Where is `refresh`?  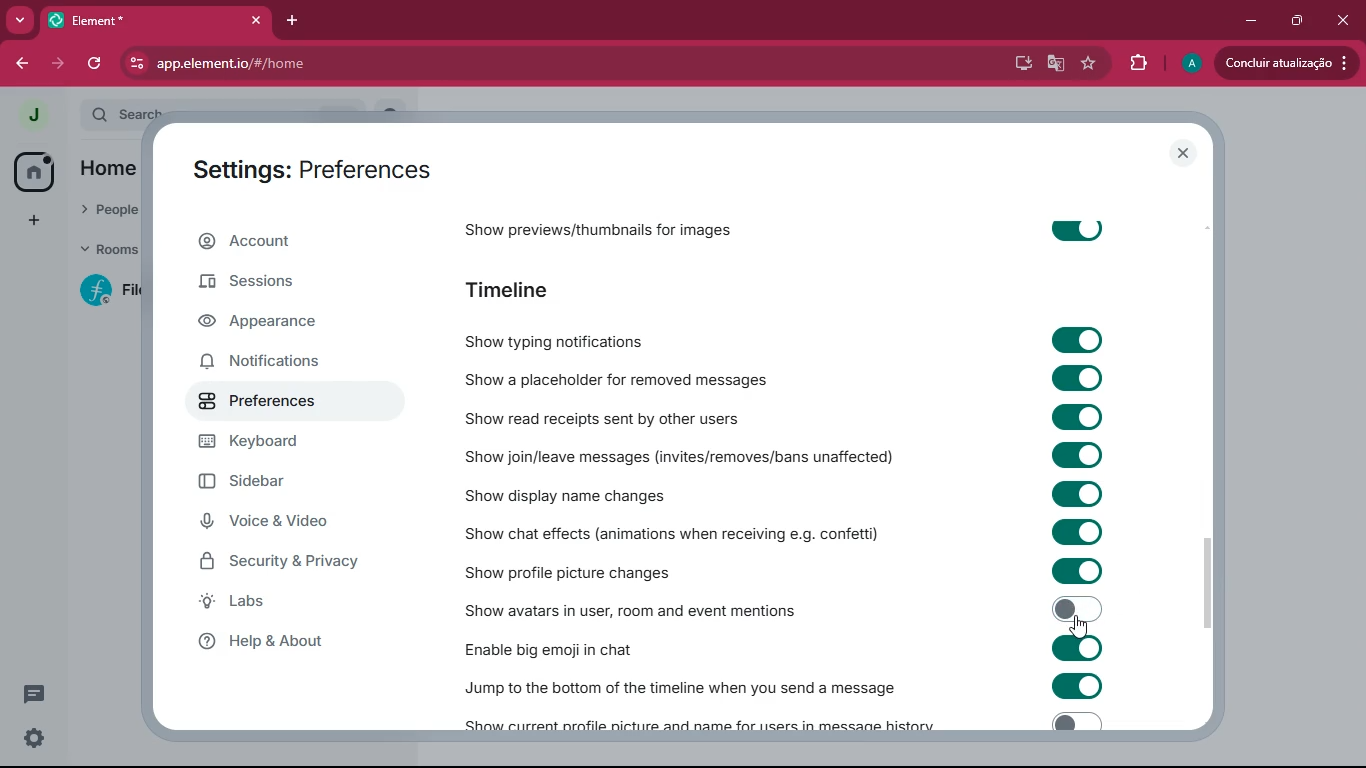
refresh is located at coordinates (96, 63).